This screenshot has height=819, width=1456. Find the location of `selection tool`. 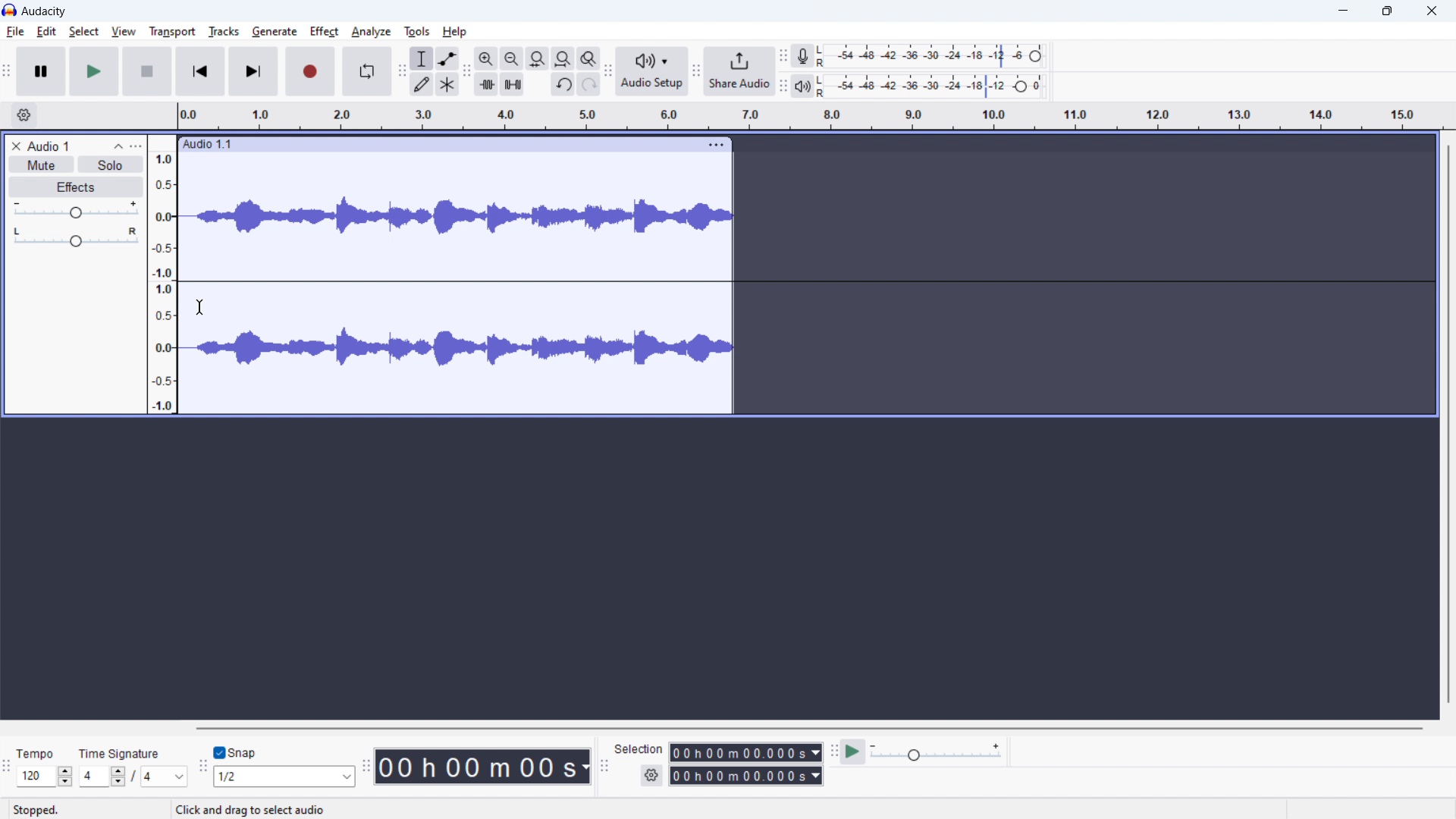

selection tool is located at coordinates (421, 58).